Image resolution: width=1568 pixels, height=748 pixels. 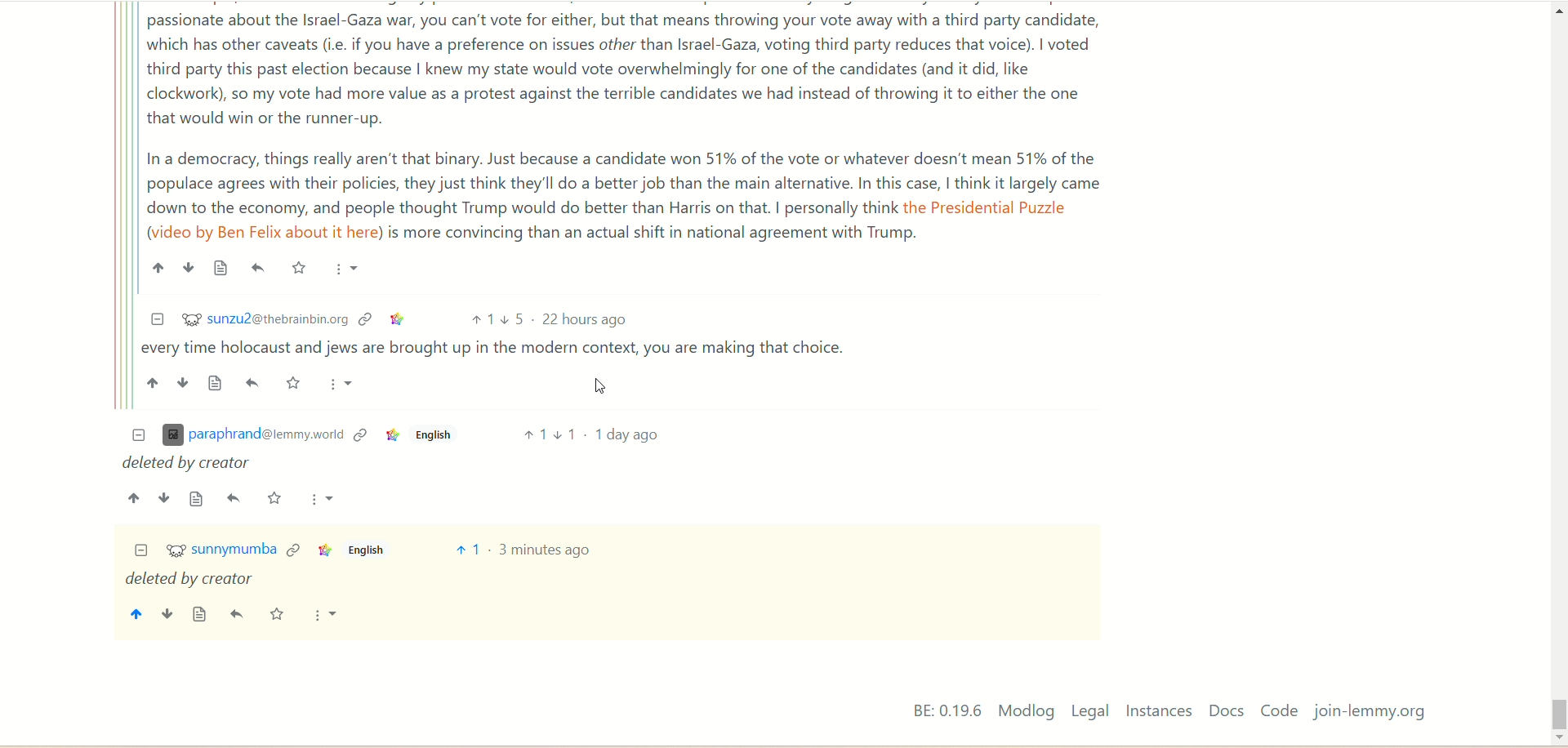 I want to click on Link, so click(x=390, y=437).